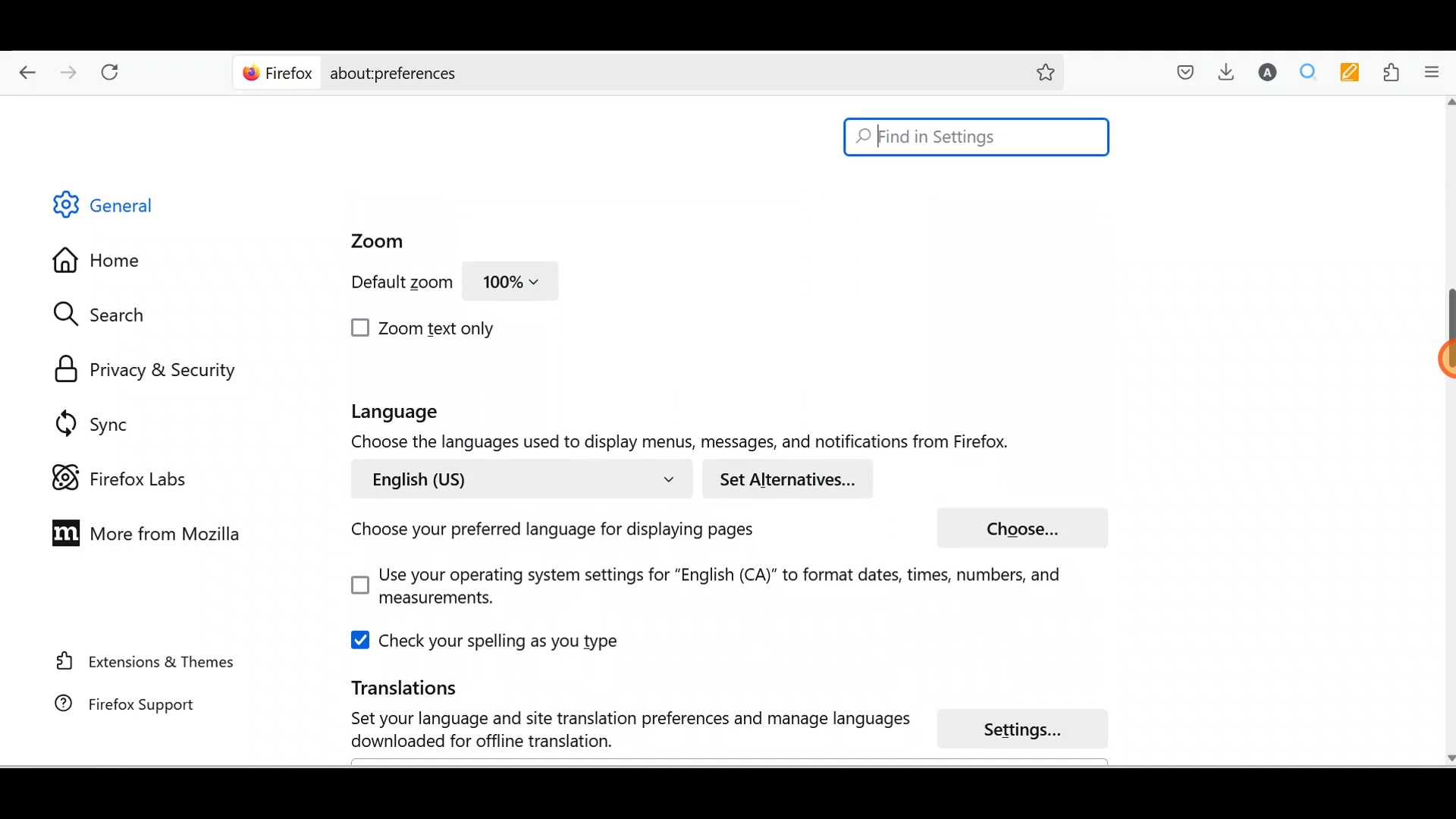 The width and height of the screenshot is (1456, 819). I want to click on General, so click(117, 208).